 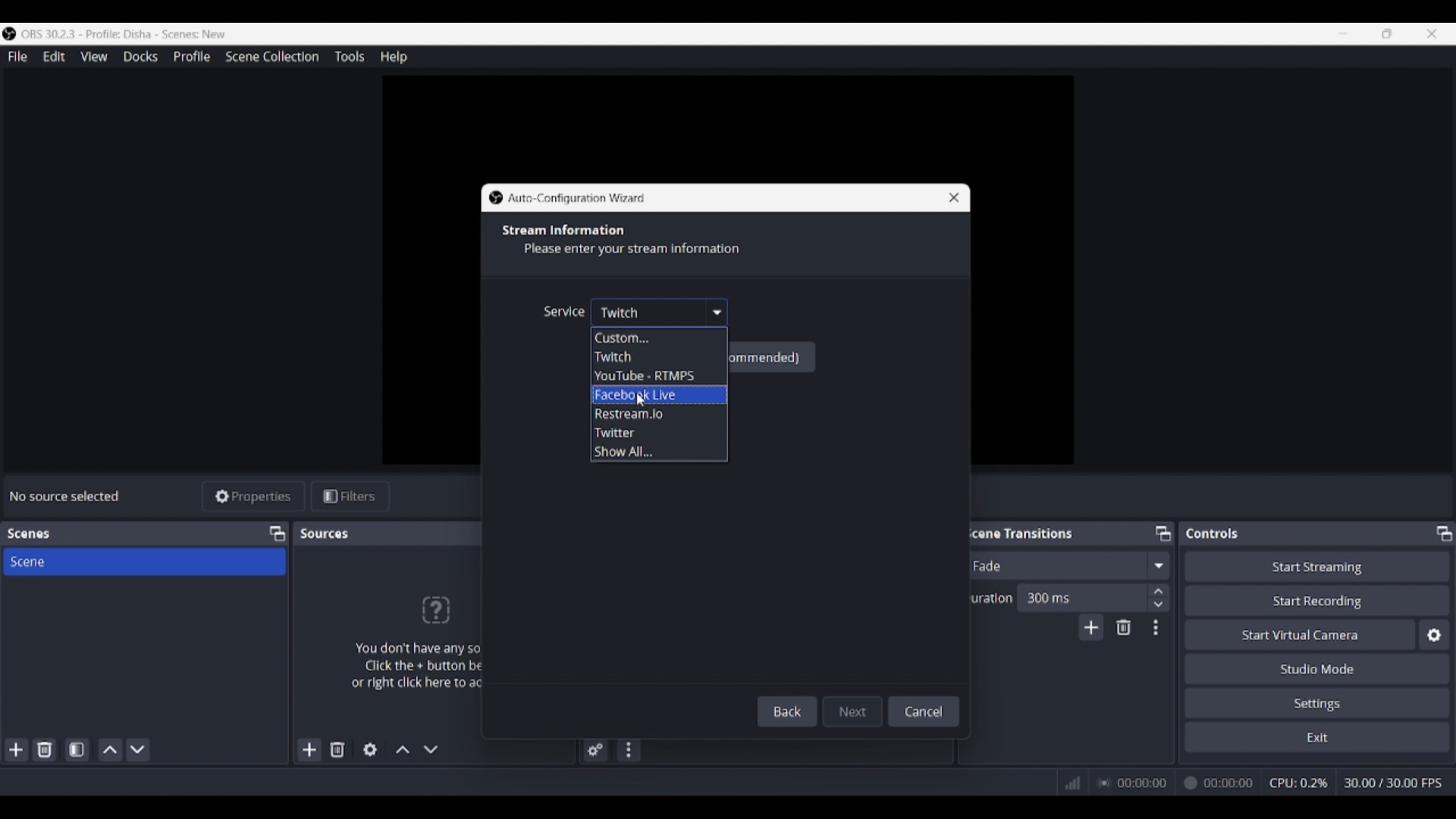 What do you see at coordinates (1053, 565) in the screenshot?
I see `Current fade` at bounding box center [1053, 565].